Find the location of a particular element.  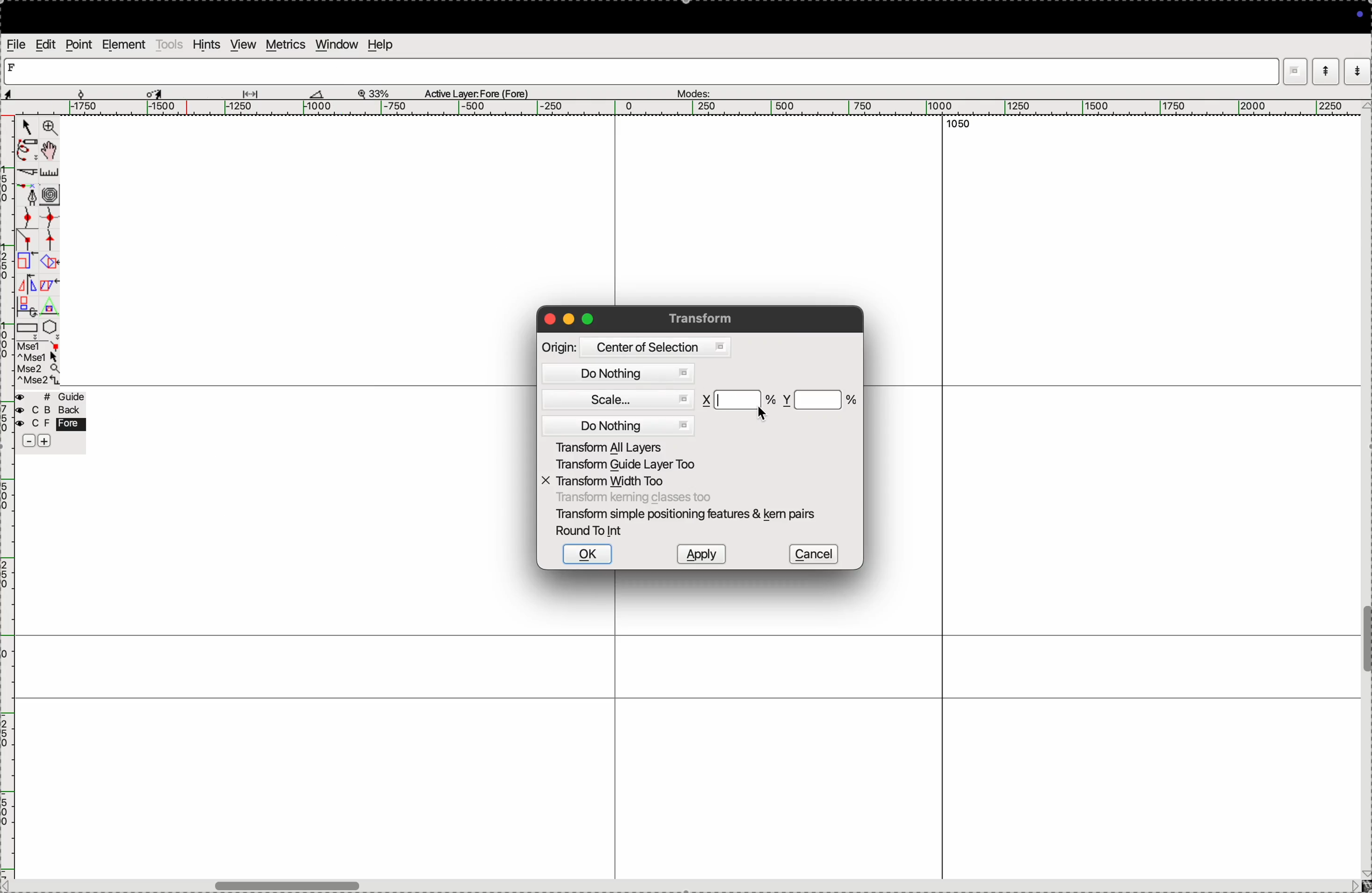

curves is located at coordinates (51, 196).